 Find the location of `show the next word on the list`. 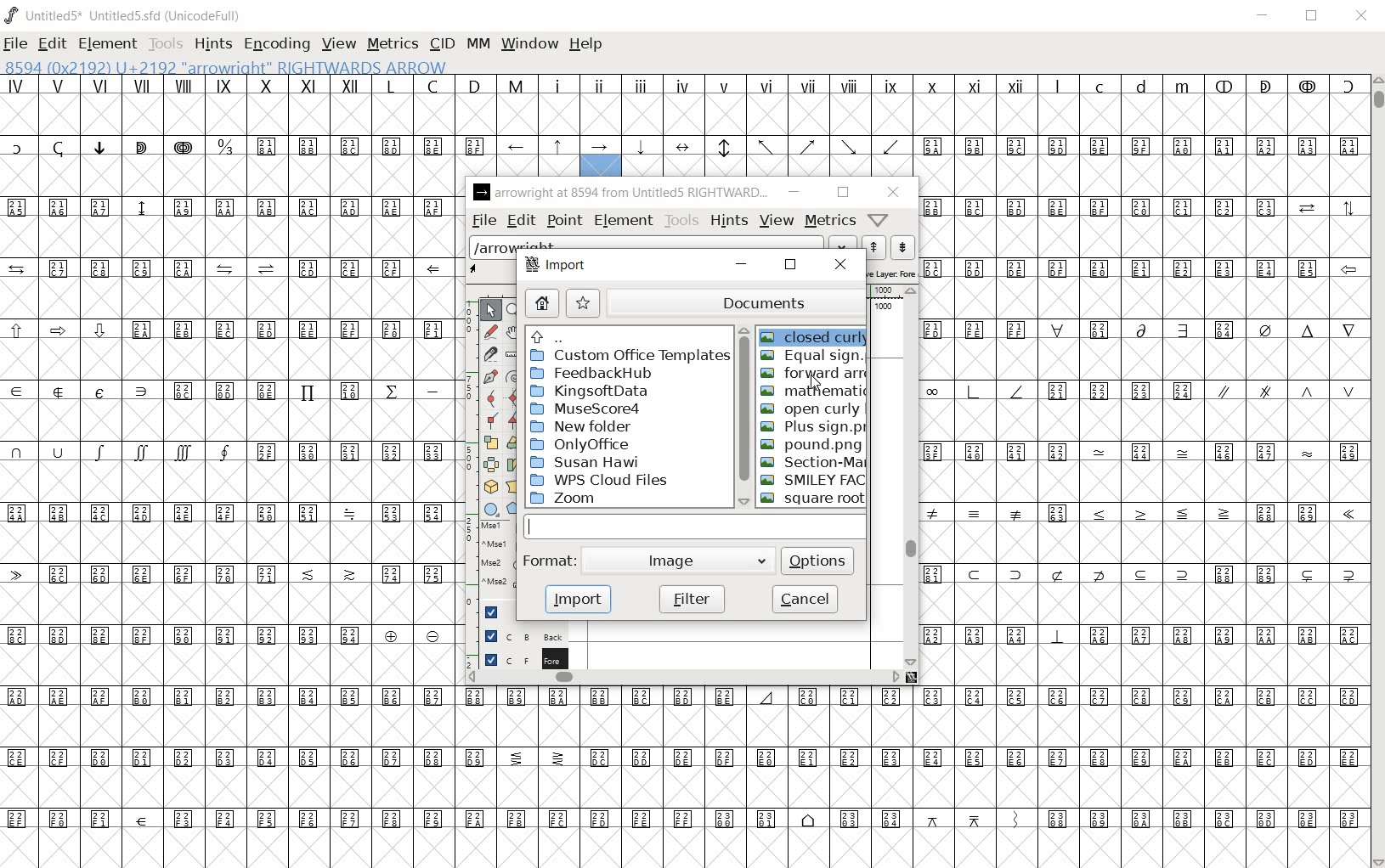

show the next word on the list is located at coordinates (872, 247).